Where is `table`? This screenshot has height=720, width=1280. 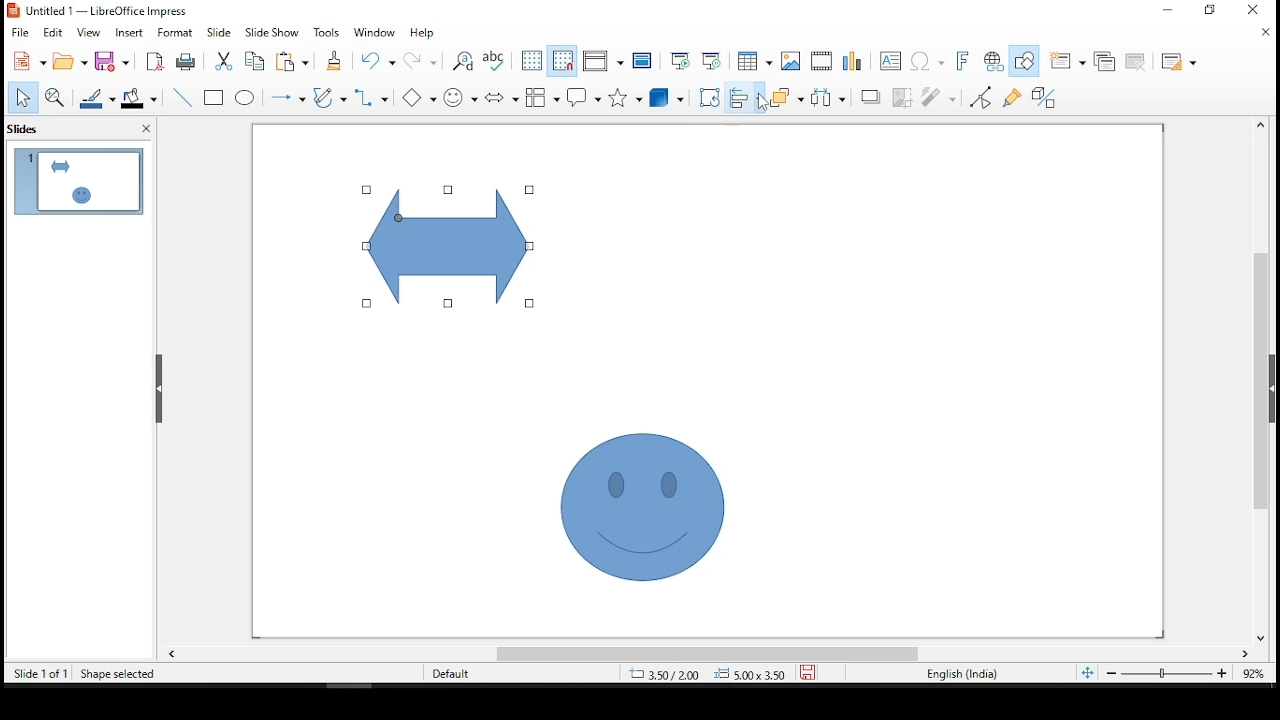
table is located at coordinates (755, 62).